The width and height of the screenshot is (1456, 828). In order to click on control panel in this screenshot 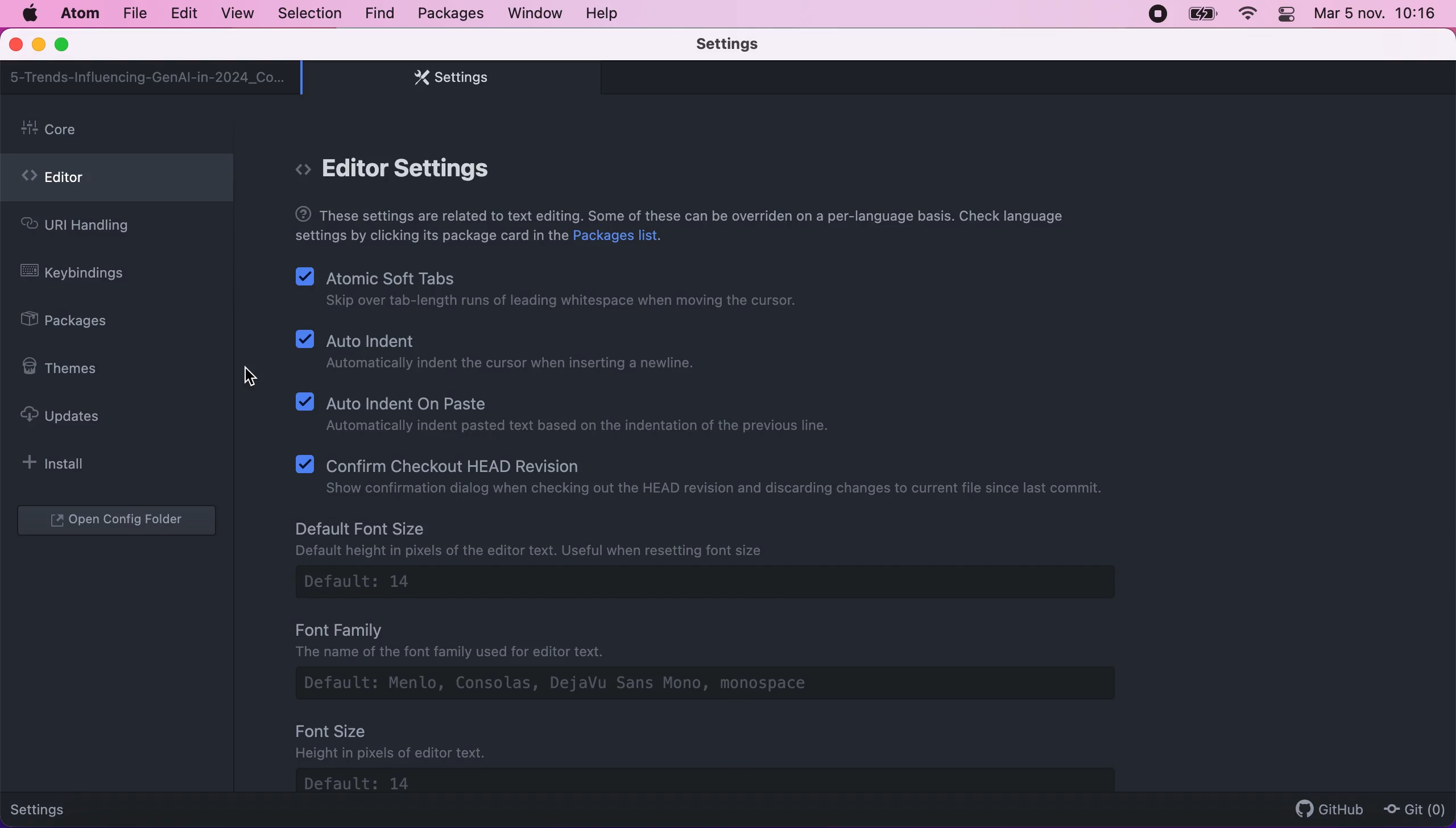, I will do `click(1288, 16)`.